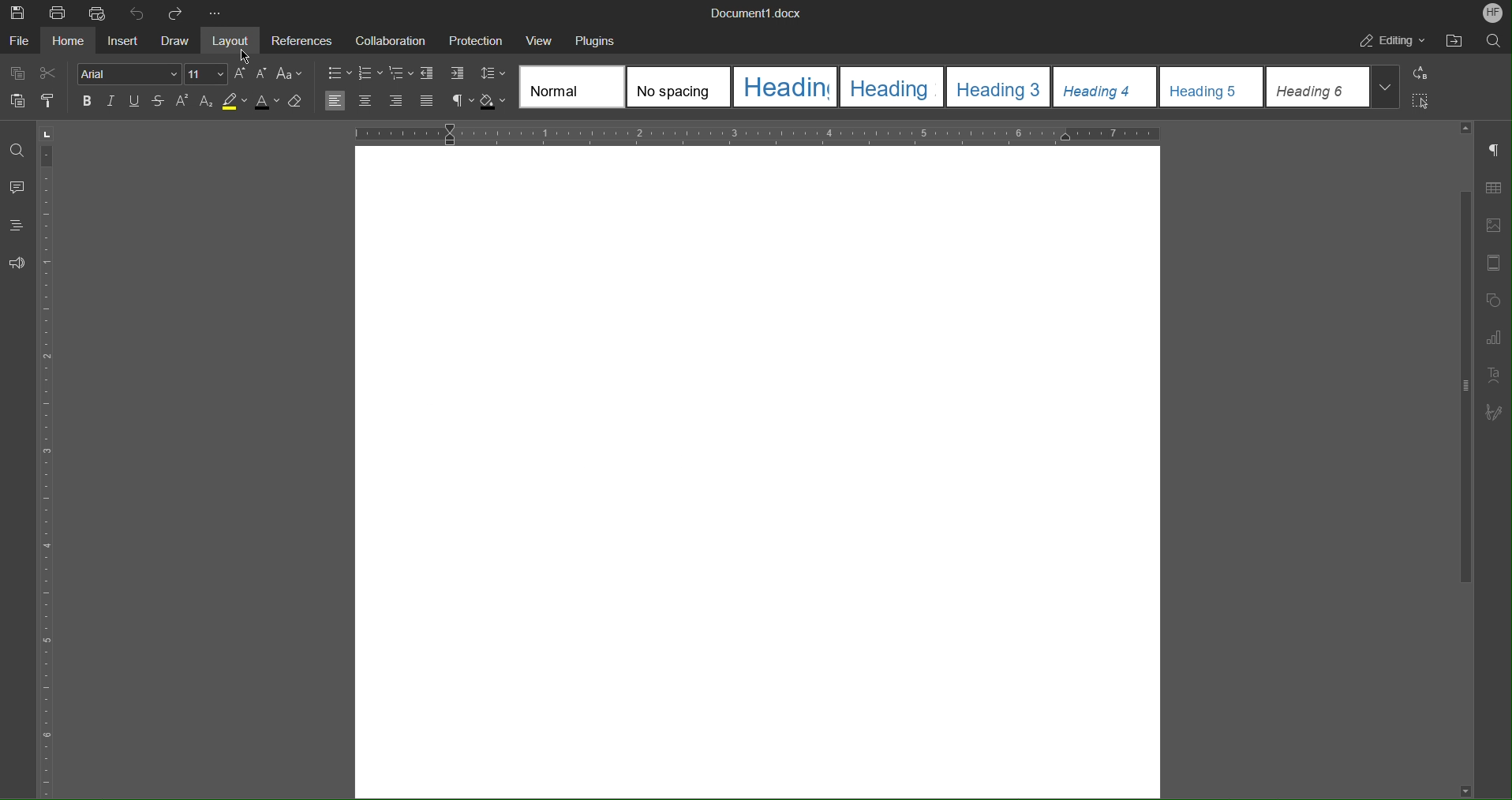 This screenshot has width=1512, height=800. What do you see at coordinates (541, 40) in the screenshot?
I see `View` at bounding box center [541, 40].